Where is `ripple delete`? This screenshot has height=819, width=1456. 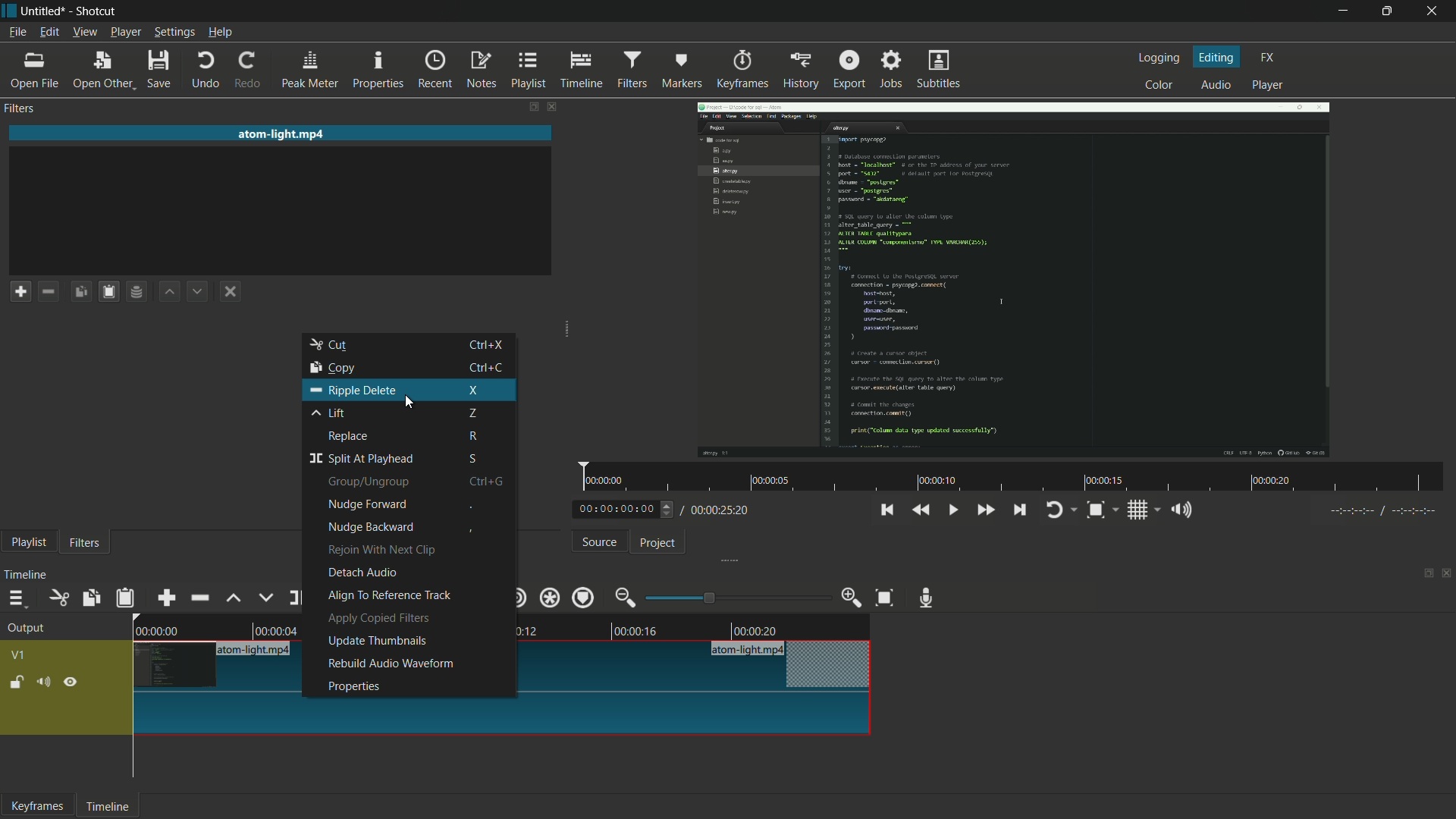 ripple delete is located at coordinates (410, 390).